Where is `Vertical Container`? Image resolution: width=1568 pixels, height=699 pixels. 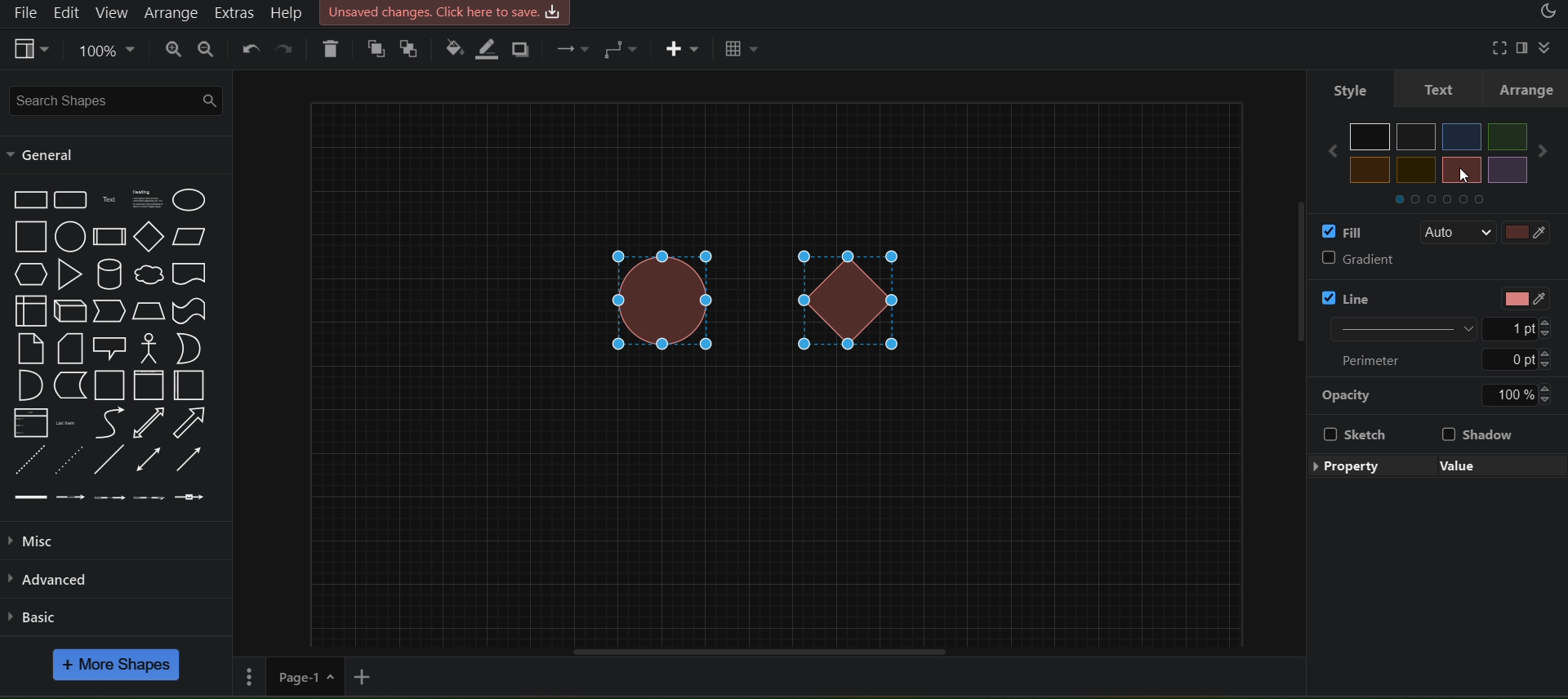
Vertical Container is located at coordinates (149, 384).